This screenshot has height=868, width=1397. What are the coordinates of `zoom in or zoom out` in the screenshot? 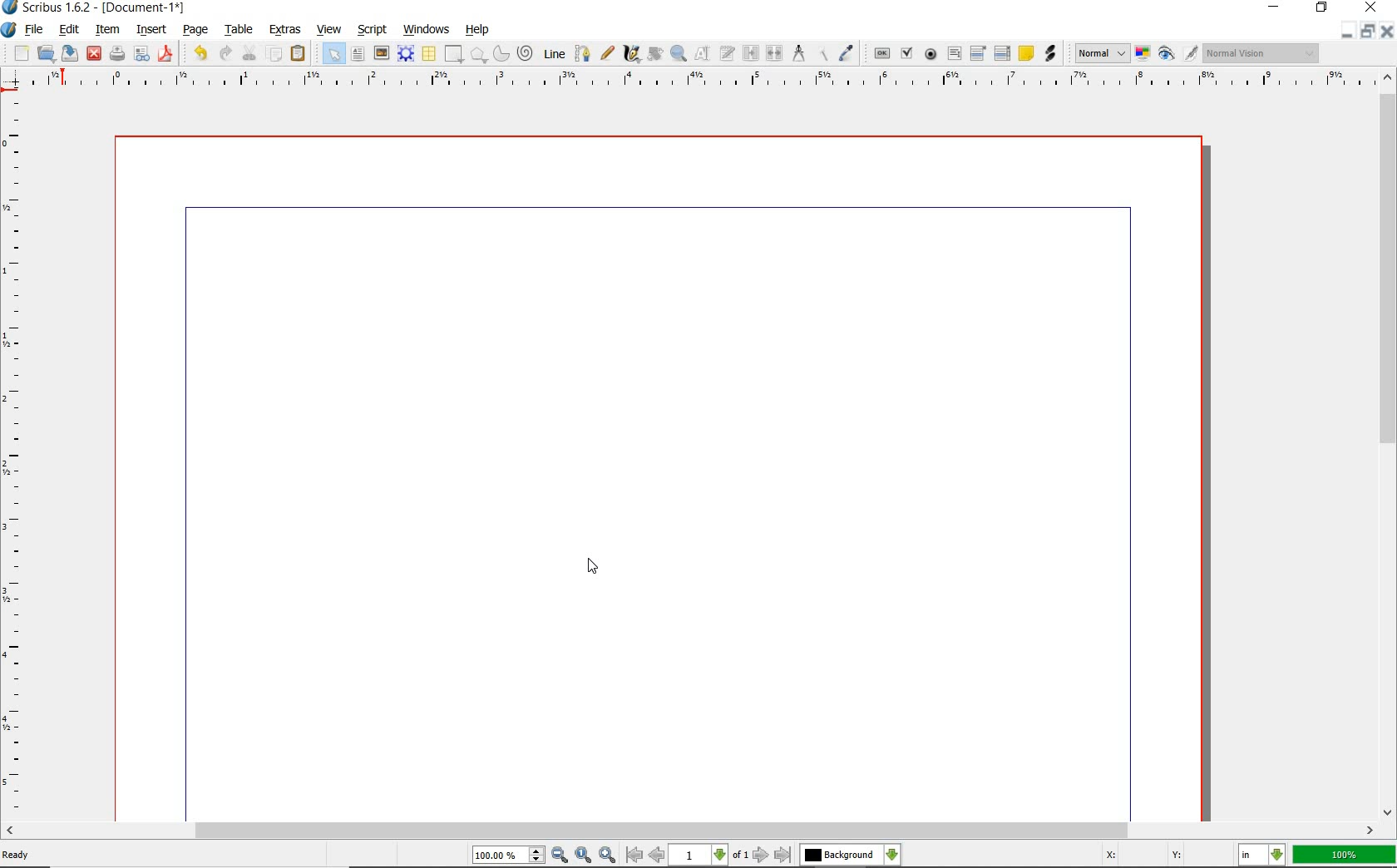 It's located at (678, 55).